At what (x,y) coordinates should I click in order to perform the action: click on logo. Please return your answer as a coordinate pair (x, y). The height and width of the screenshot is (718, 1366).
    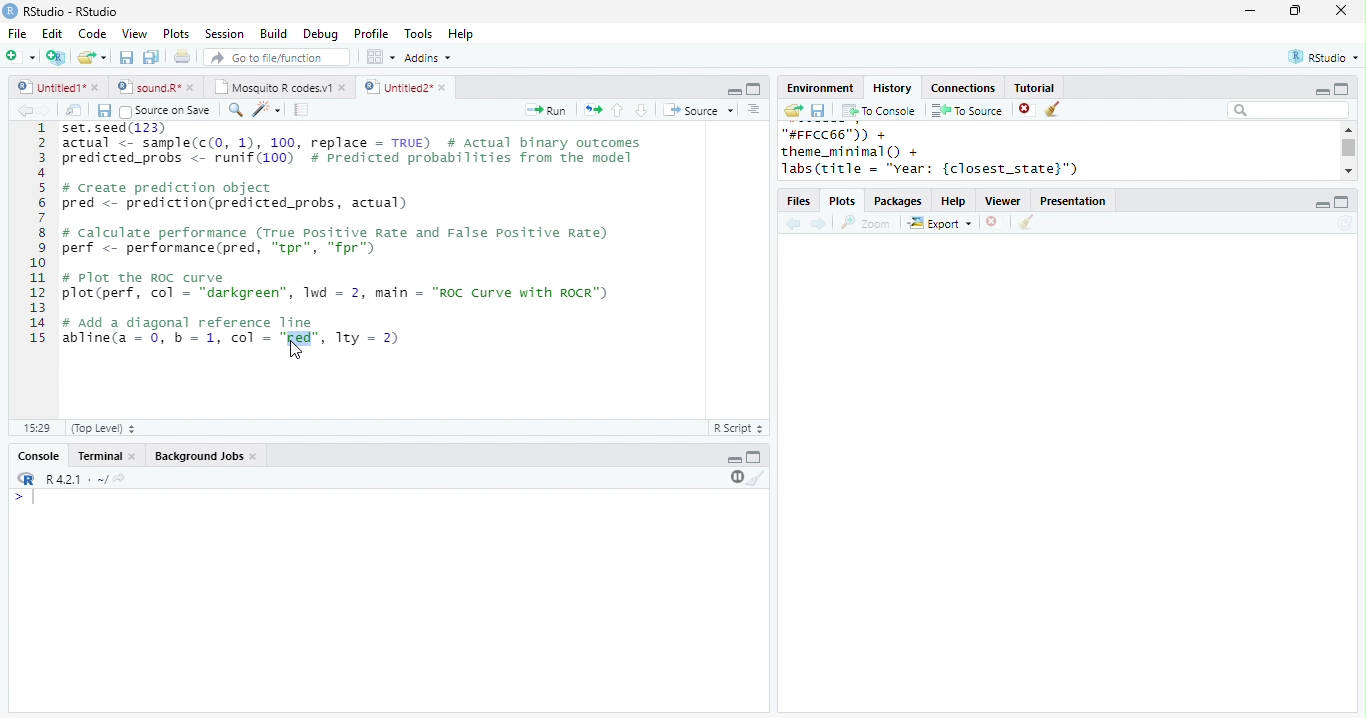
    Looking at the image, I should click on (10, 10).